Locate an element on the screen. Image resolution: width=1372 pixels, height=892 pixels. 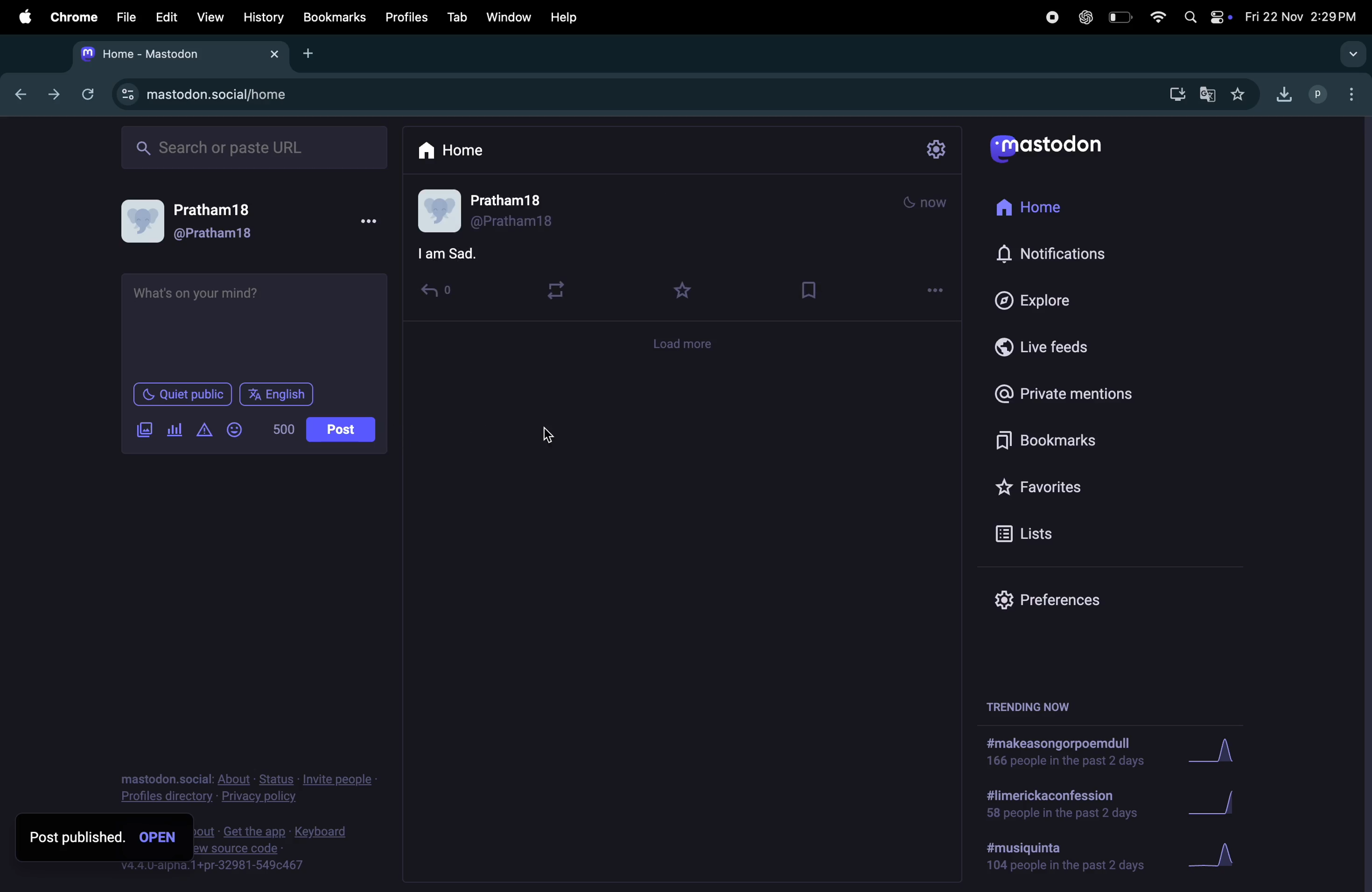
quiet public is located at coordinates (183, 394).